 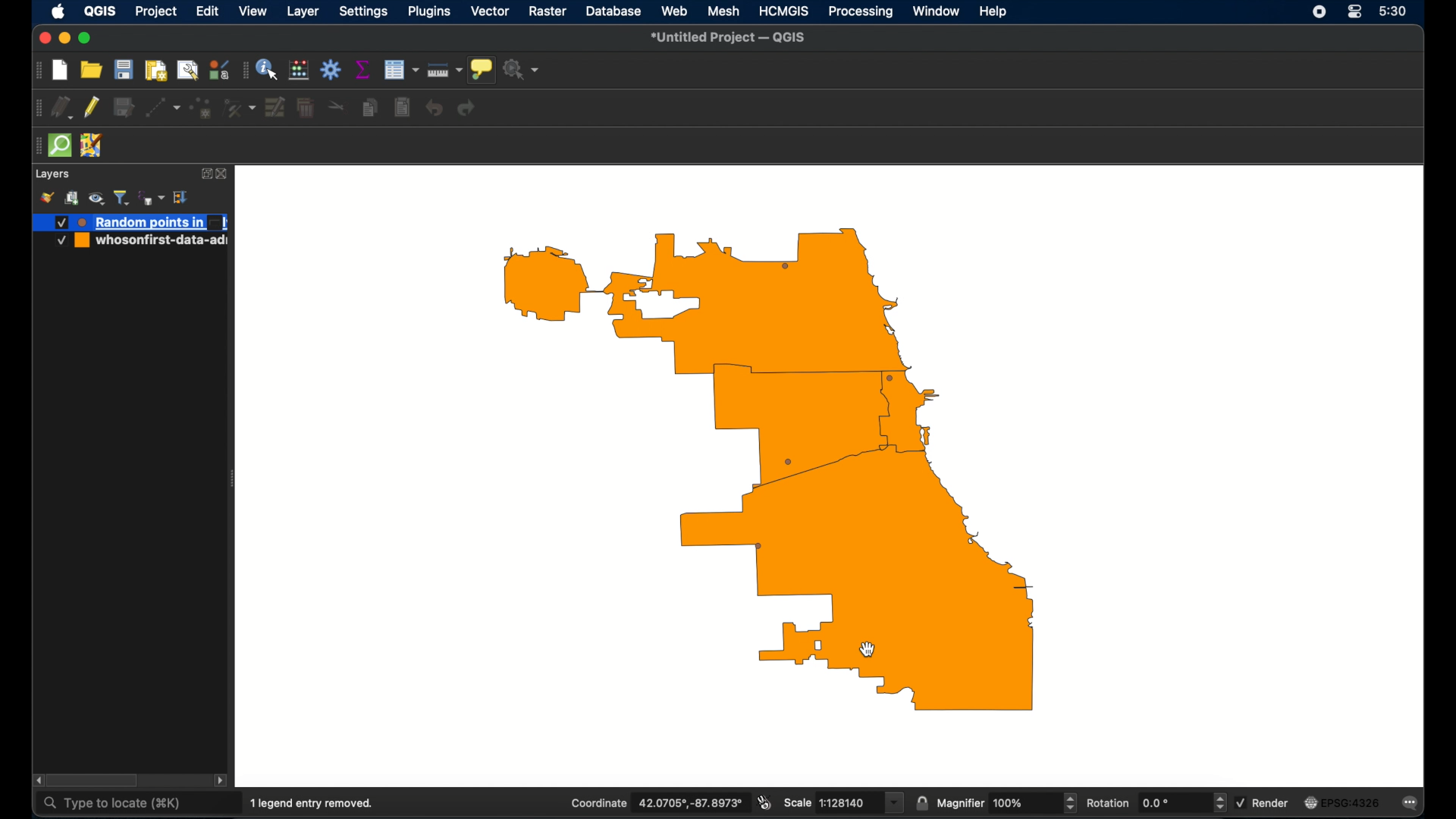 What do you see at coordinates (1393, 11) in the screenshot?
I see `time` at bounding box center [1393, 11].